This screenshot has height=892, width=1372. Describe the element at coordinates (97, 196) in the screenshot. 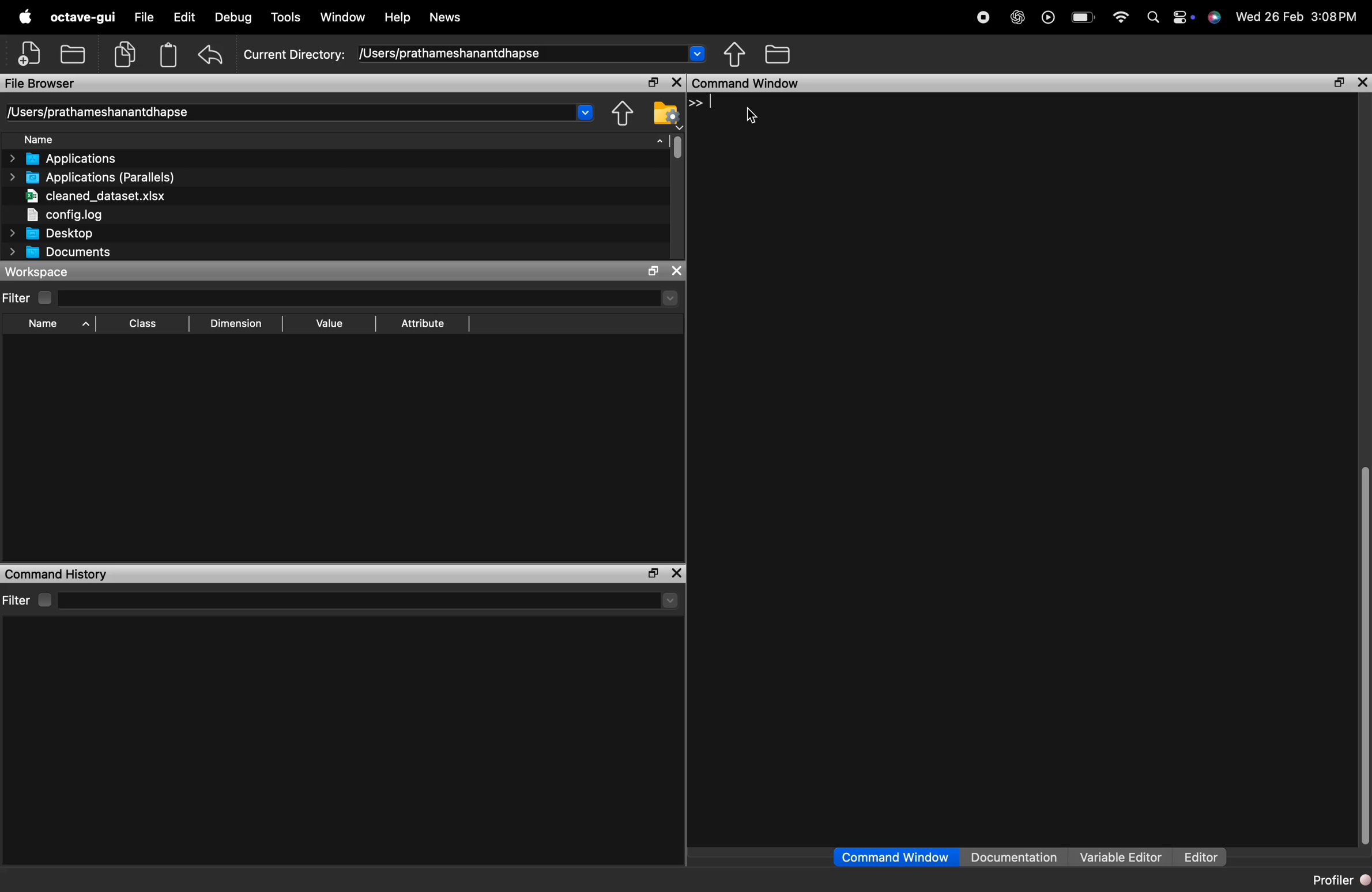

I see `cleaned_dataset.xlsx` at that location.